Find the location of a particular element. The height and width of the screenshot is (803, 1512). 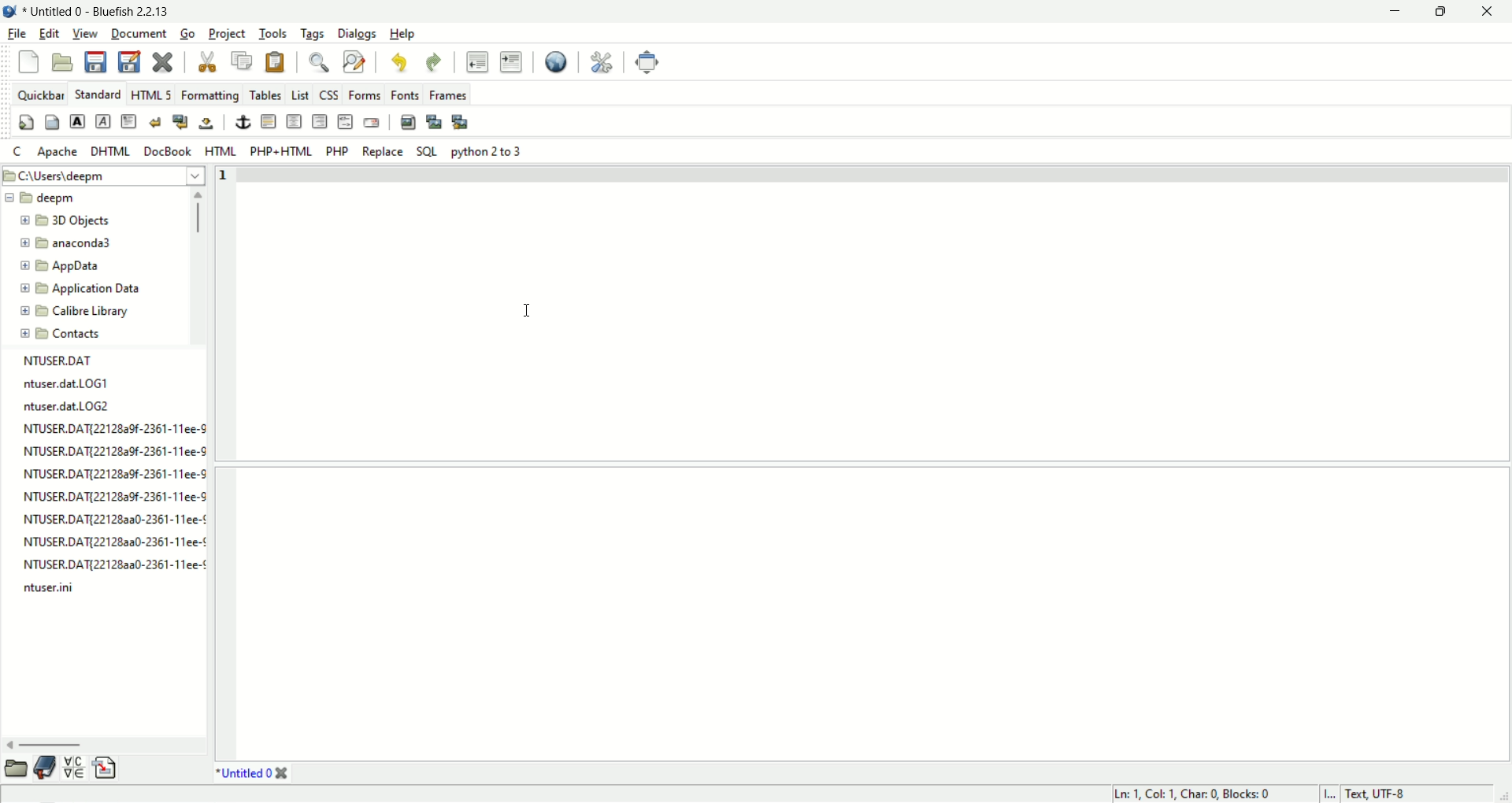

view in browser is located at coordinates (556, 63).